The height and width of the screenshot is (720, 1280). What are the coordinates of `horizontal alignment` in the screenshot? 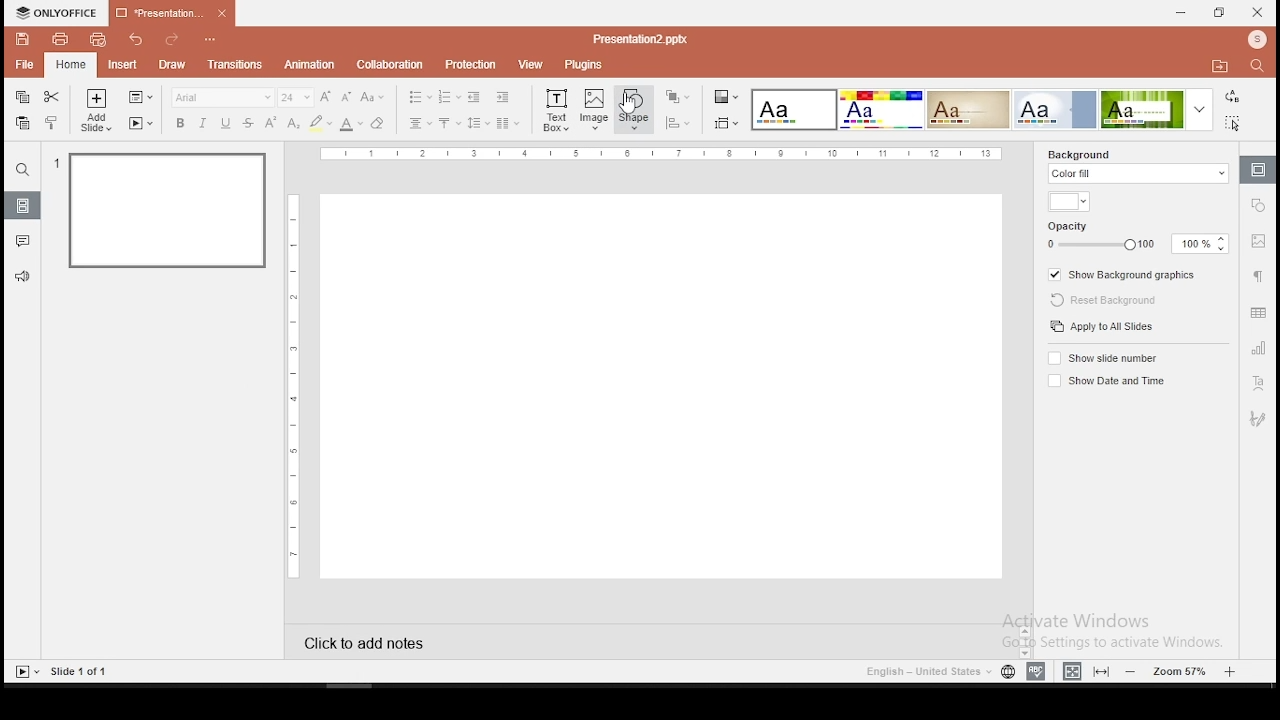 It's located at (420, 124).